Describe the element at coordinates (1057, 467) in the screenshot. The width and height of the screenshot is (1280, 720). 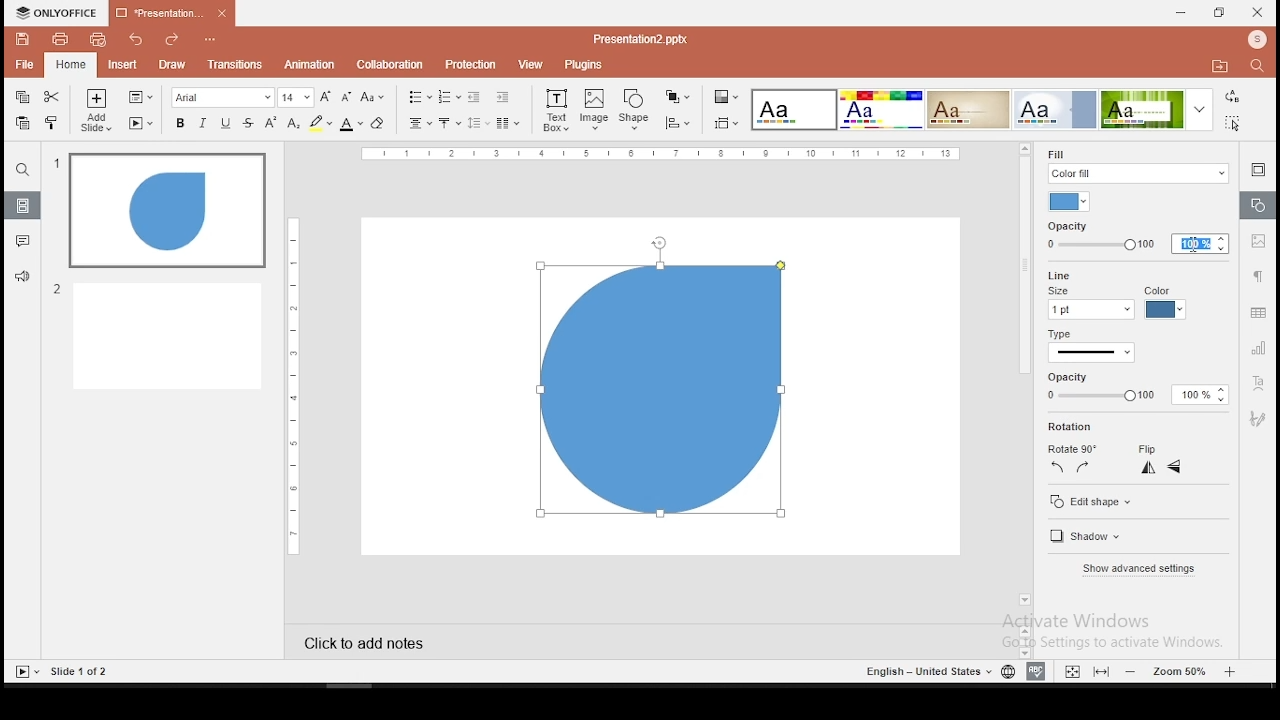
I see `left` at that location.